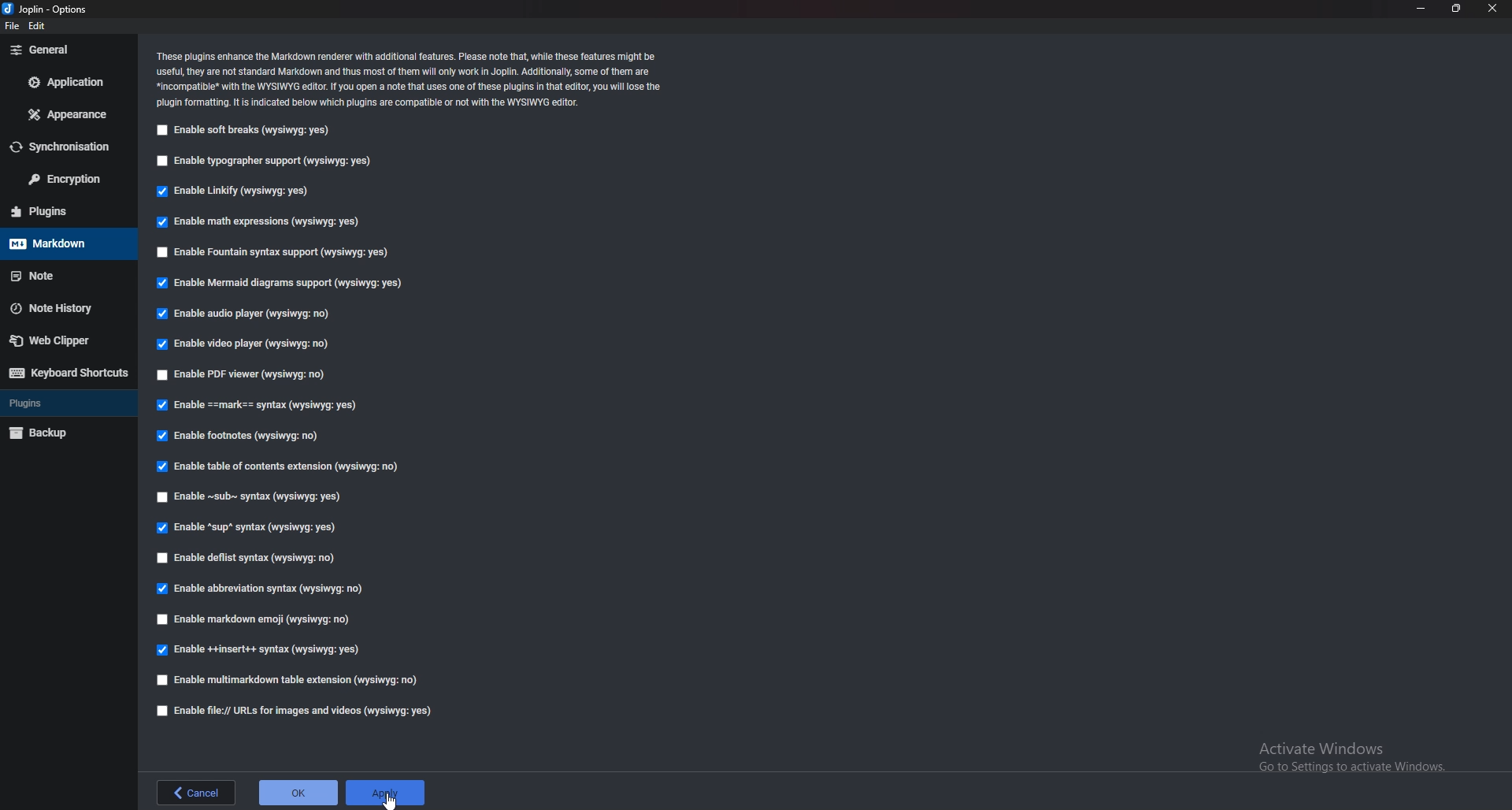 The height and width of the screenshot is (810, 1512). What do you see at coordinates (61, 308) in the screenshot?
I see `Note history` at bounding box center [61, 308].